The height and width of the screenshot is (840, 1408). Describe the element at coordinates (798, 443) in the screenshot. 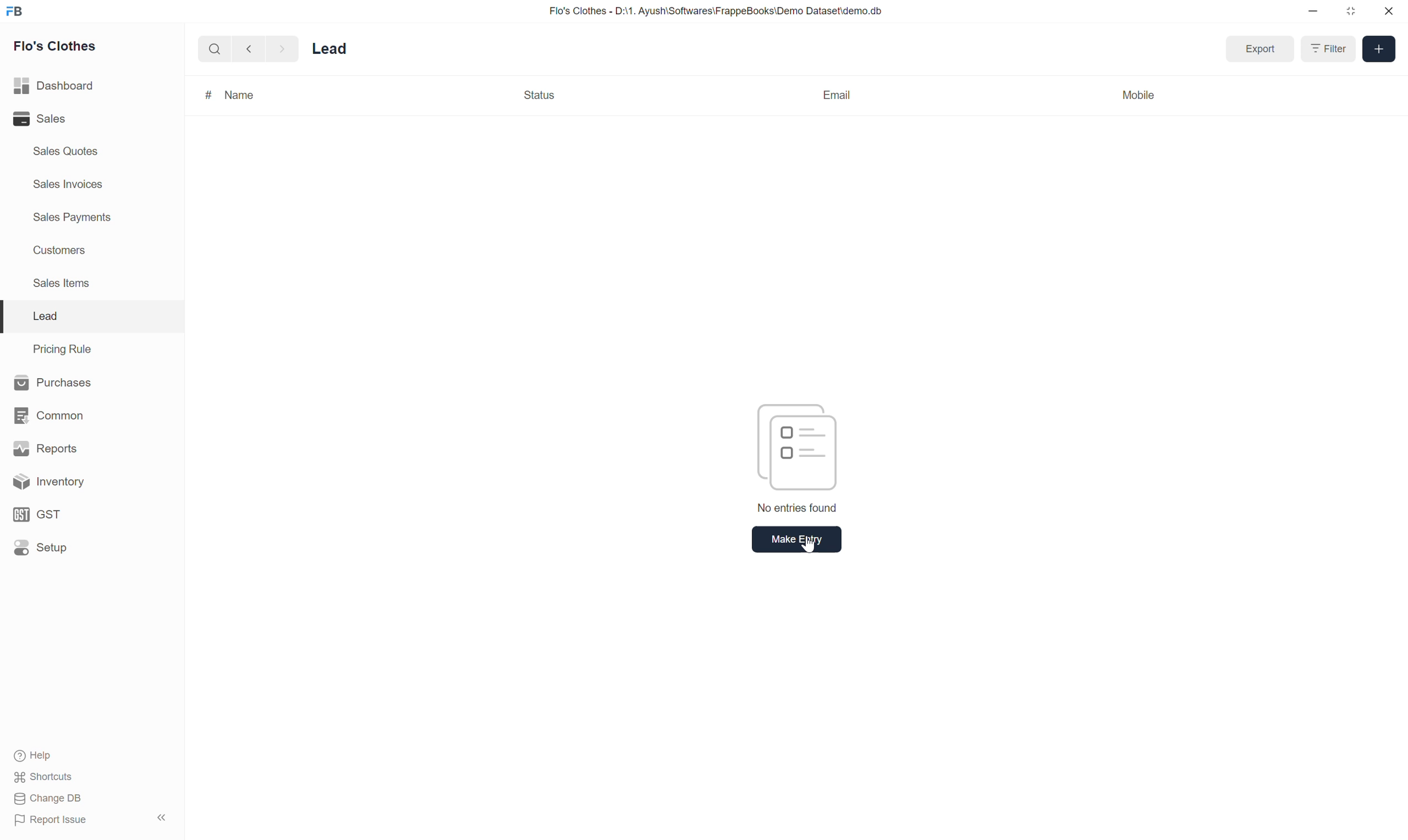

I see `image` at that location.